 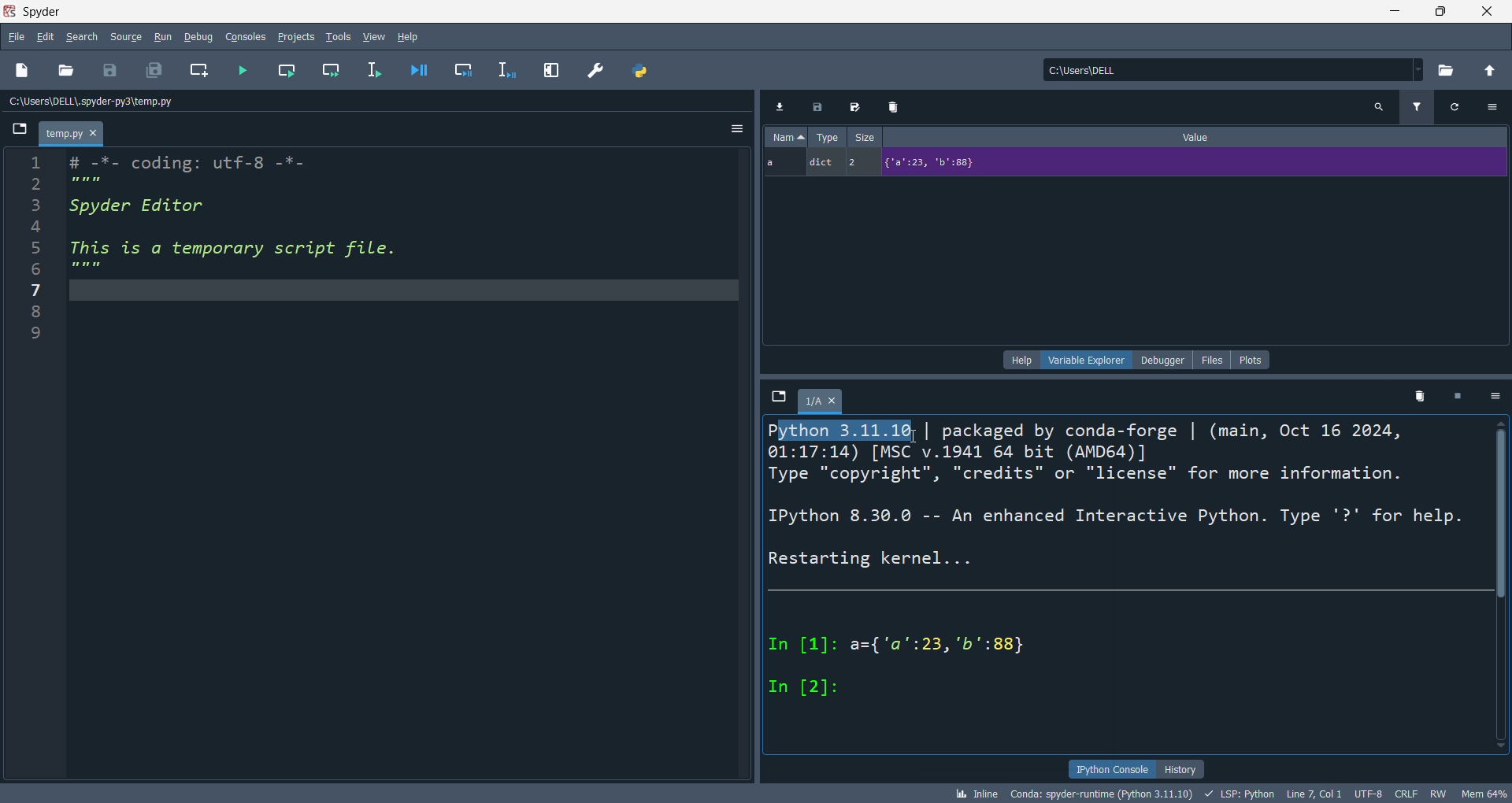 I want to click on source, so click(x=123, y=39).